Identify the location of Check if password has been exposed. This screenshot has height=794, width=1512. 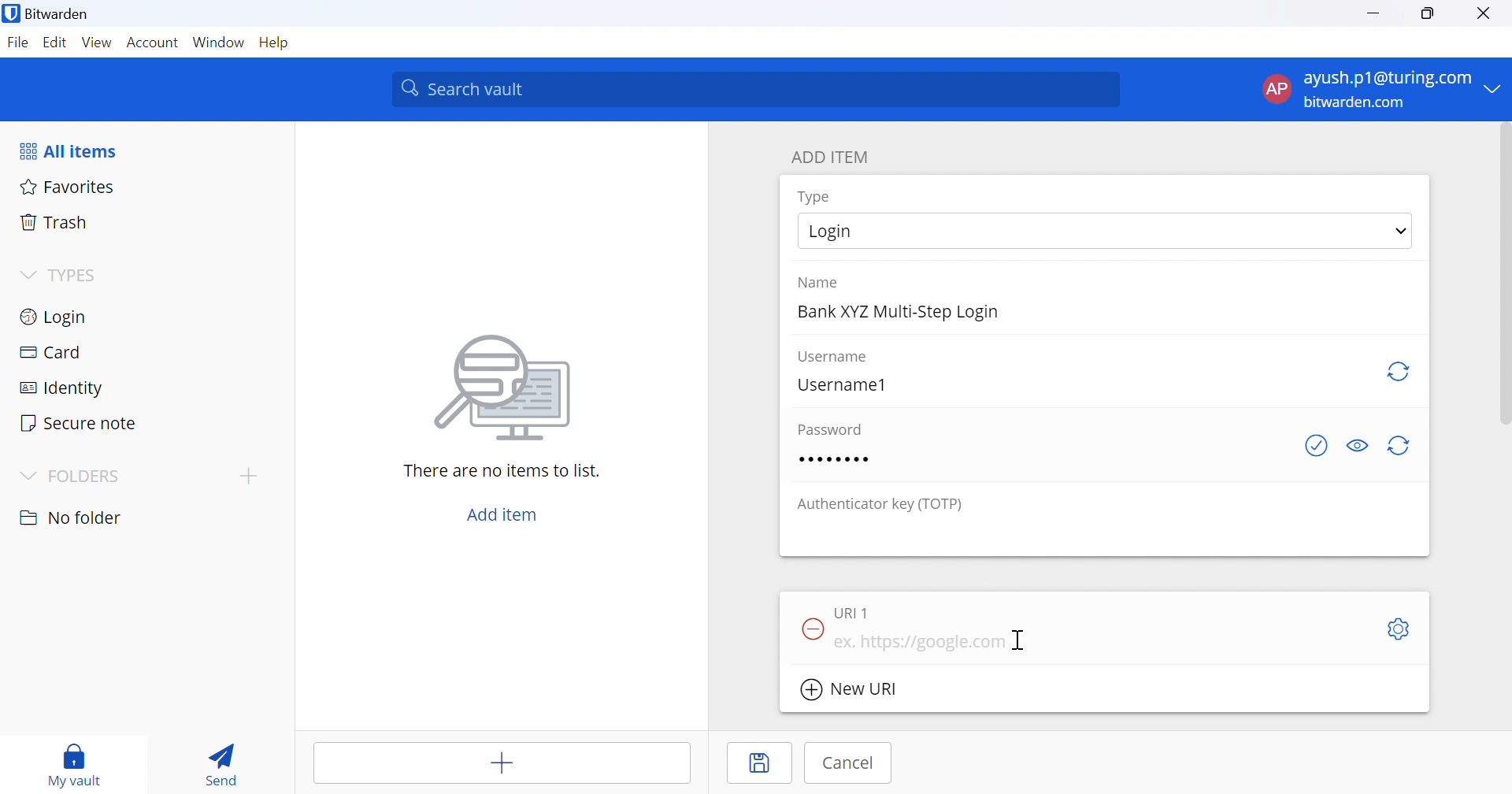
(1316, 449).